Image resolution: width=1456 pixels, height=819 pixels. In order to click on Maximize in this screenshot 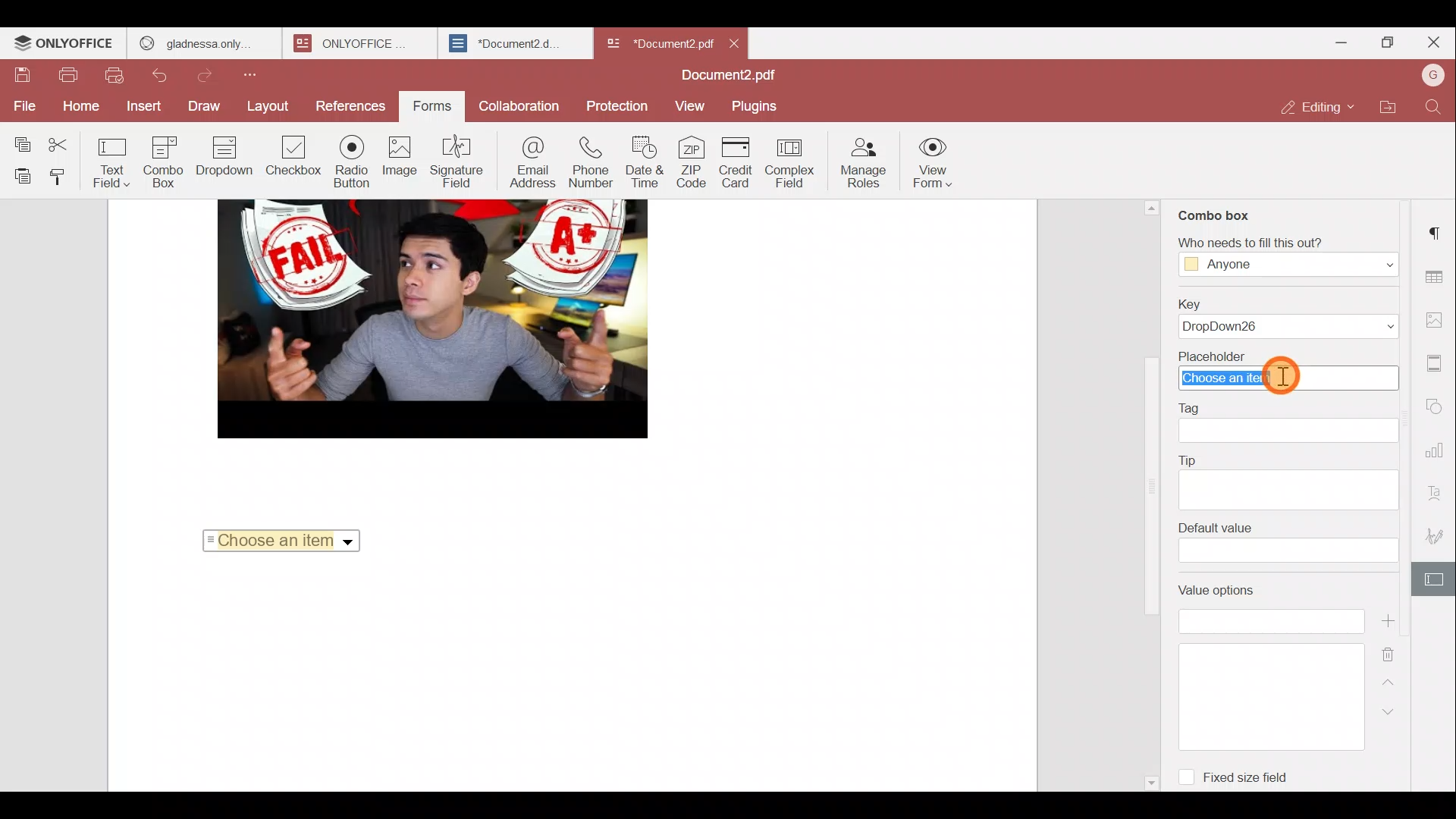, I will do `click(1383, 44)`.